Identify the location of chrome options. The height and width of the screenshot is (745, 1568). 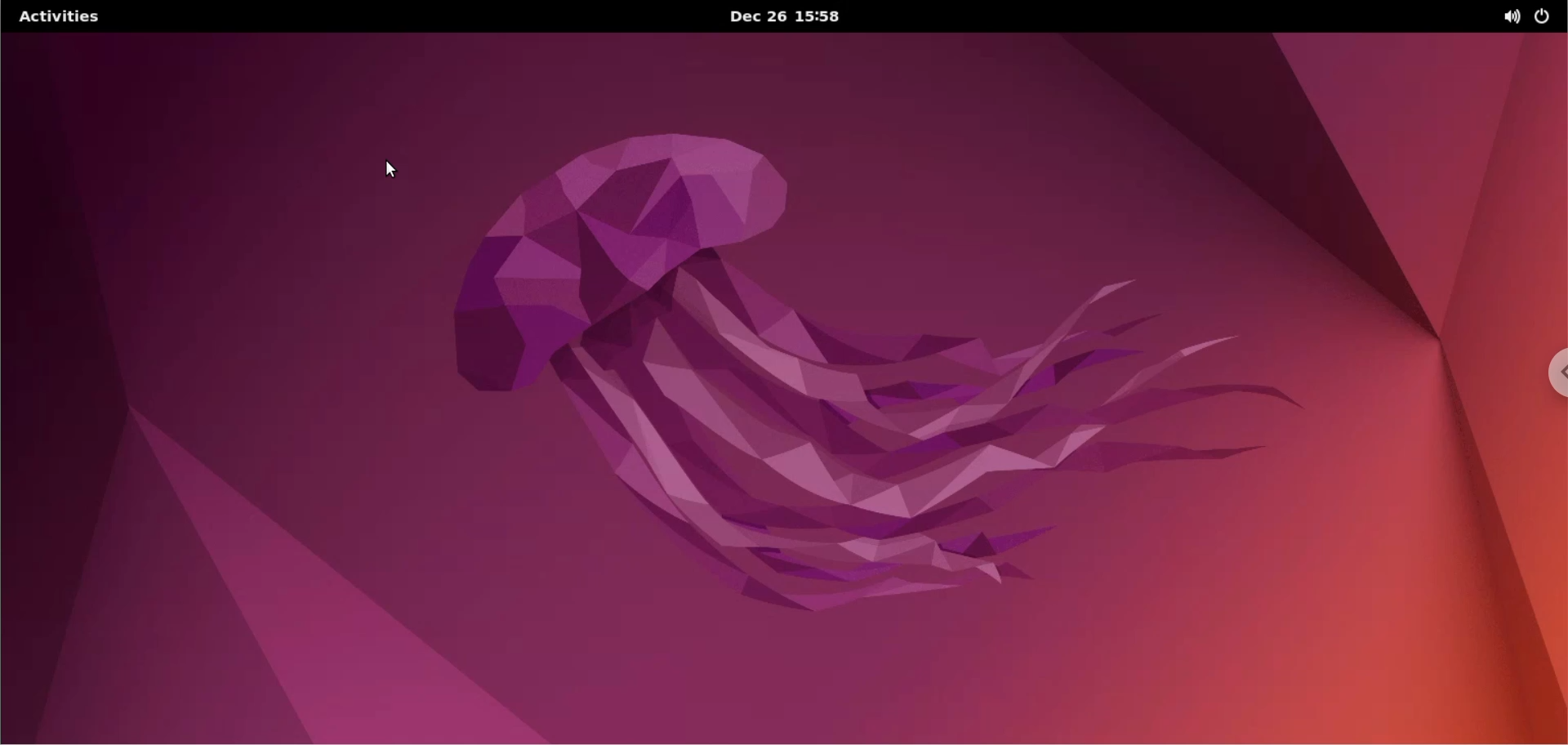
(1554, 376).